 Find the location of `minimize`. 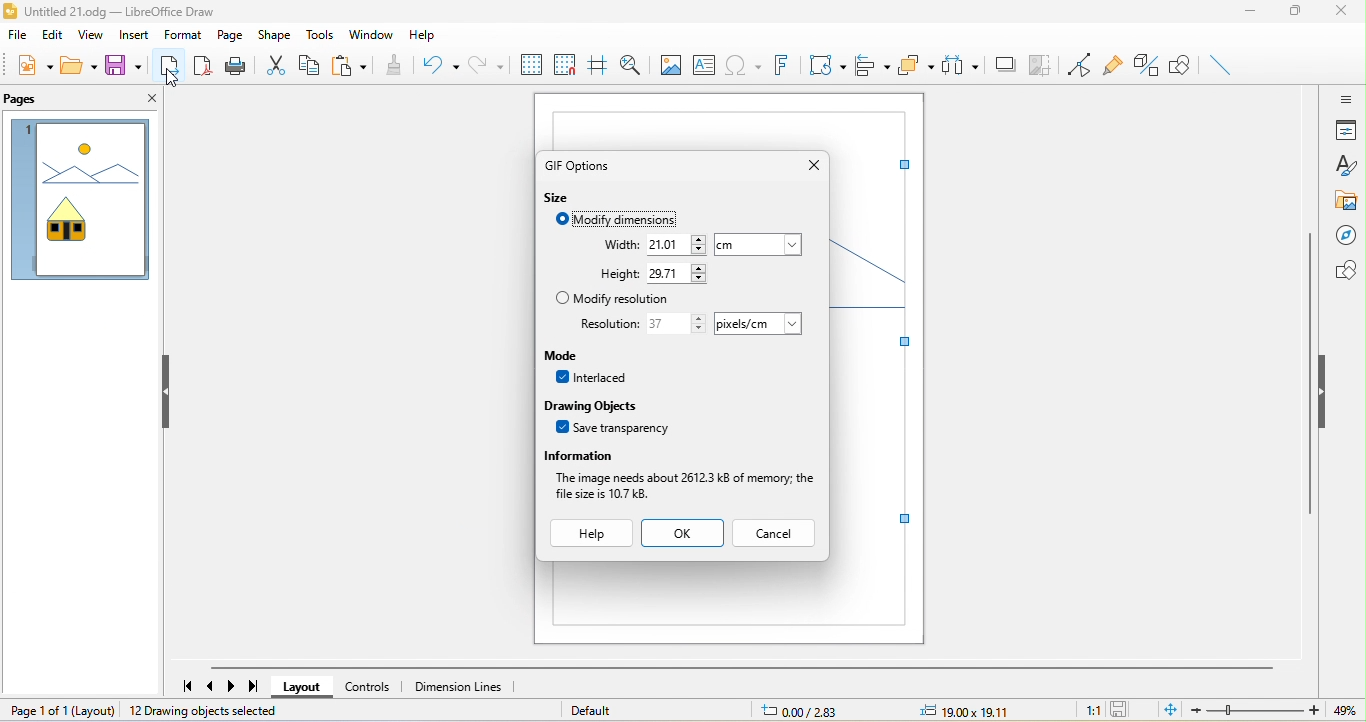

minimize is located at coordinates (1247, 15).